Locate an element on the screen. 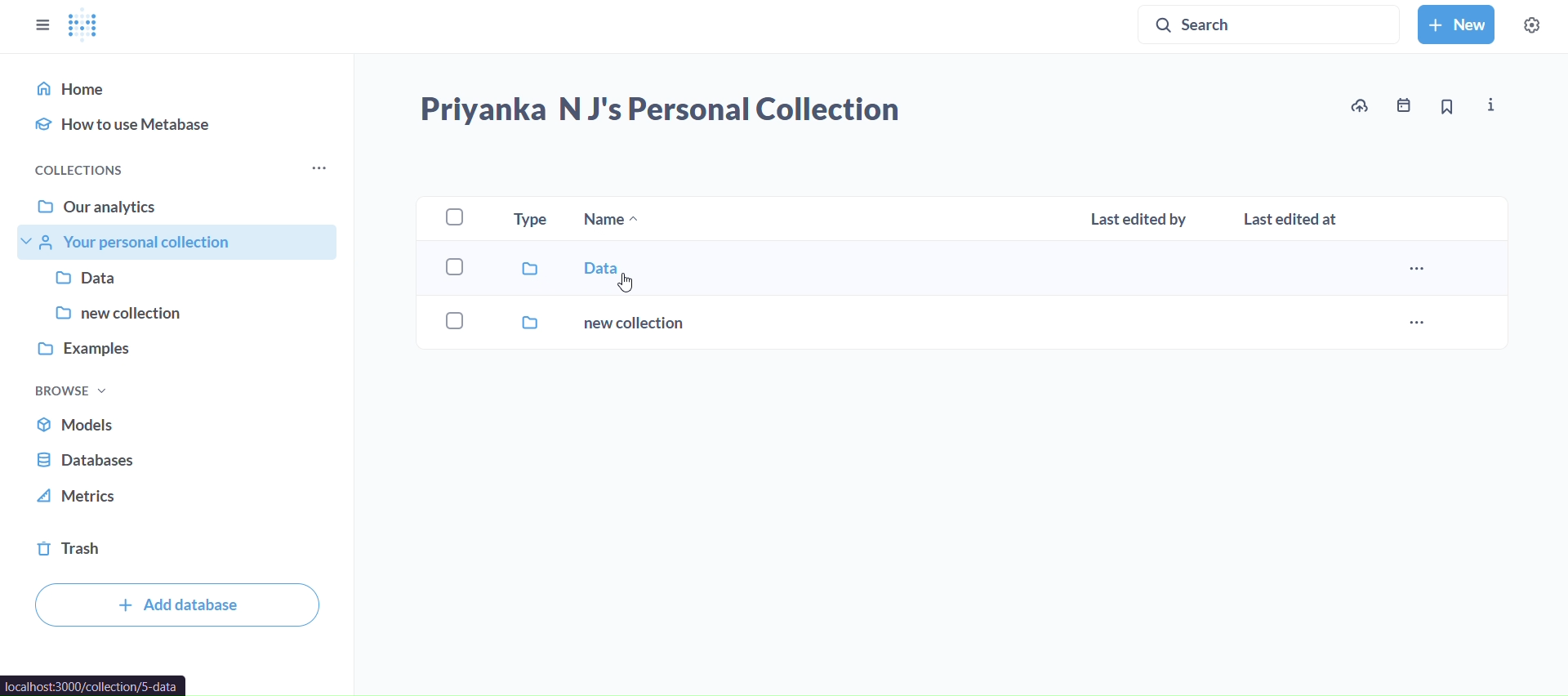 This screenshot has width=1568, height=696. more info is located at coordinates (1490, 105).